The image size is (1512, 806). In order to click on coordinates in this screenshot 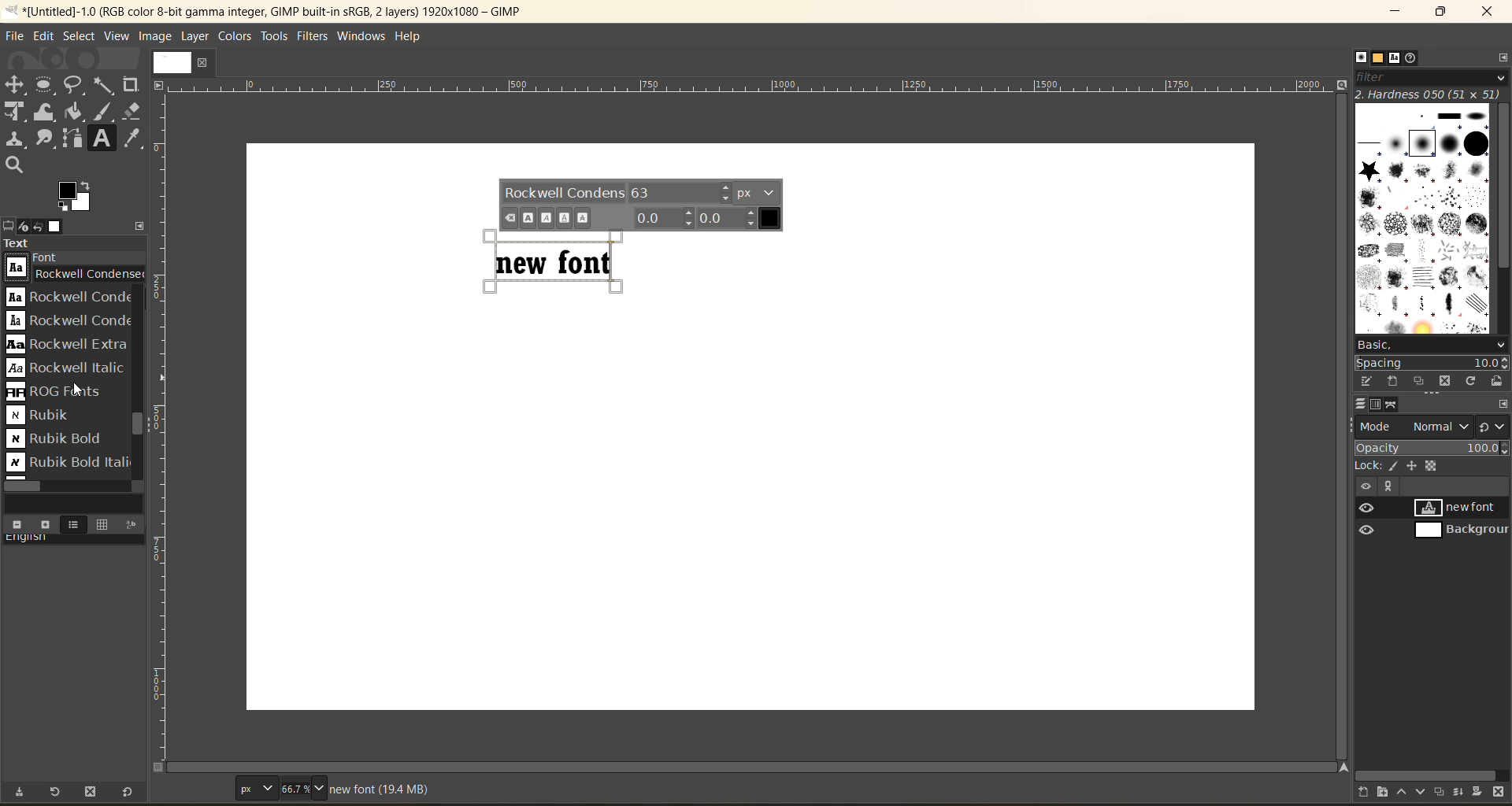, I will do `click(201, 789)`.